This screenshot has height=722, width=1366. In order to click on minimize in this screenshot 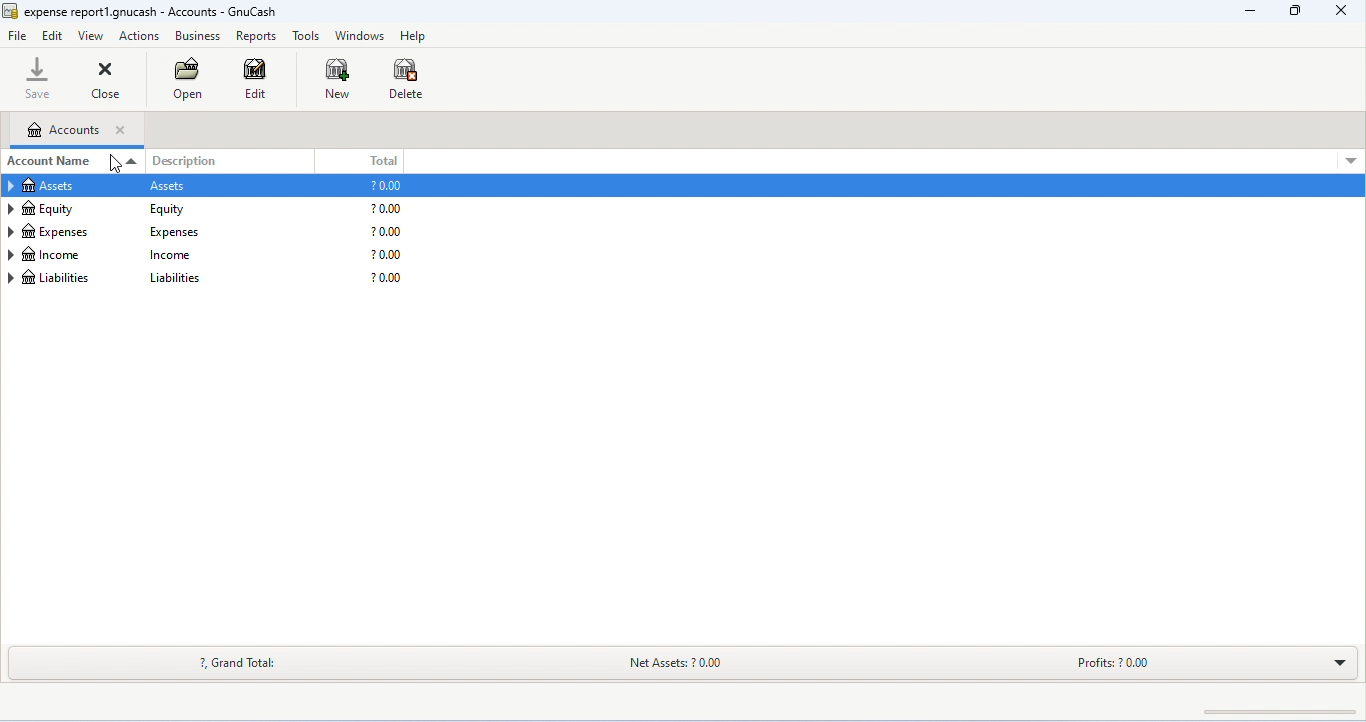, I will do `click(1254, 13)`.